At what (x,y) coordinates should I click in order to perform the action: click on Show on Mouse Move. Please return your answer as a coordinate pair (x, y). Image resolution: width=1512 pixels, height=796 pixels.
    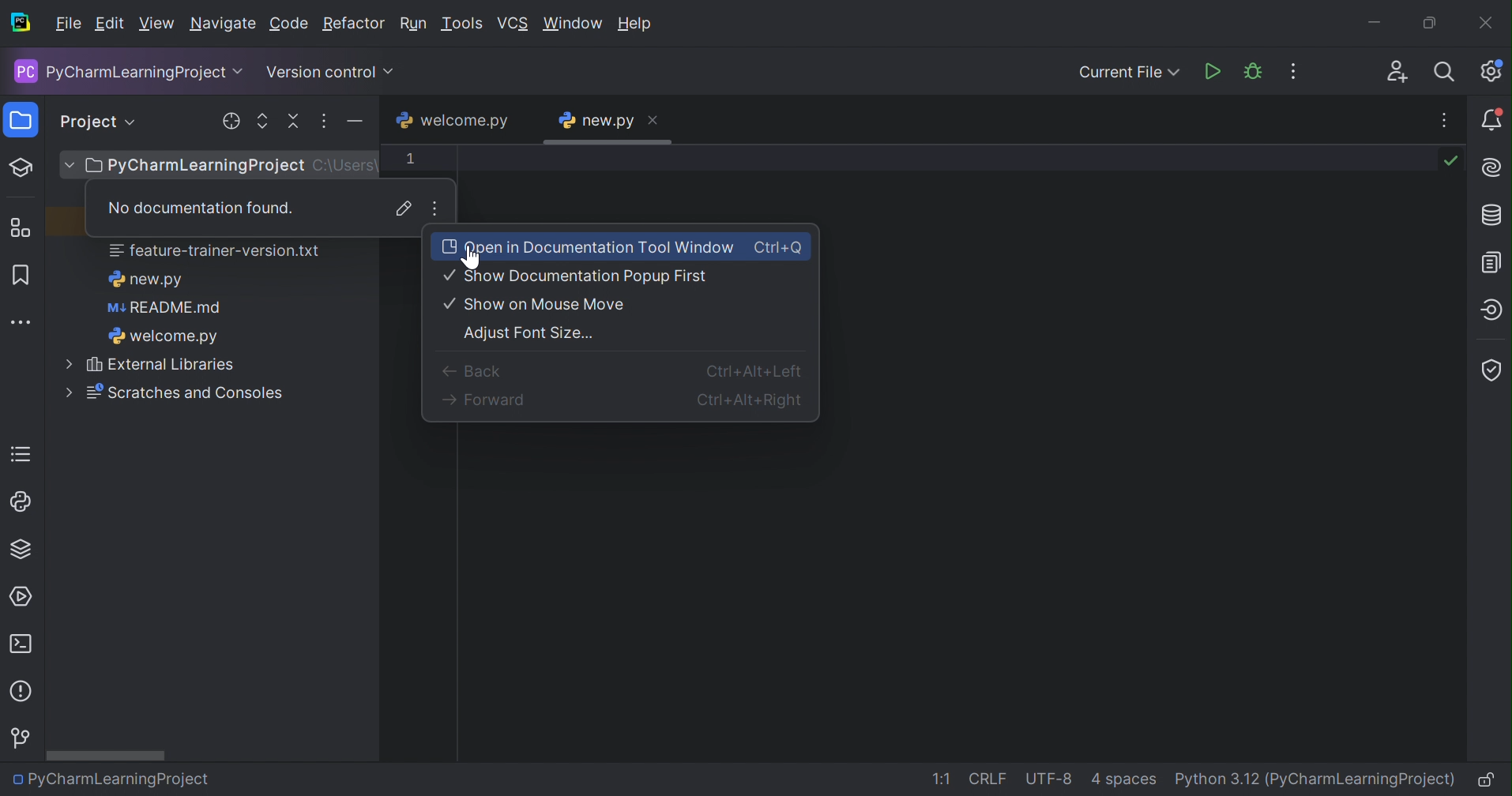
    Looking at the image, I should click on (531, 305).